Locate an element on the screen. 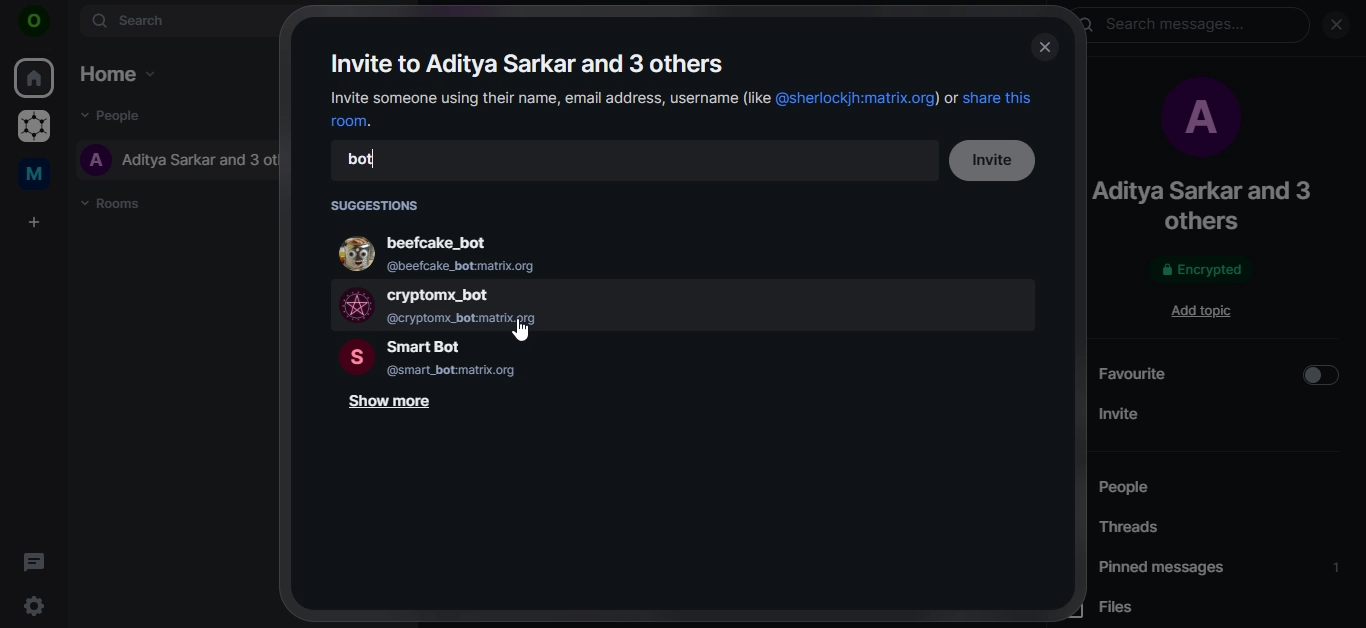 Image resolution: width=1366 pixels, height=628 pixels. invite is located at coordinates (1219, 412).